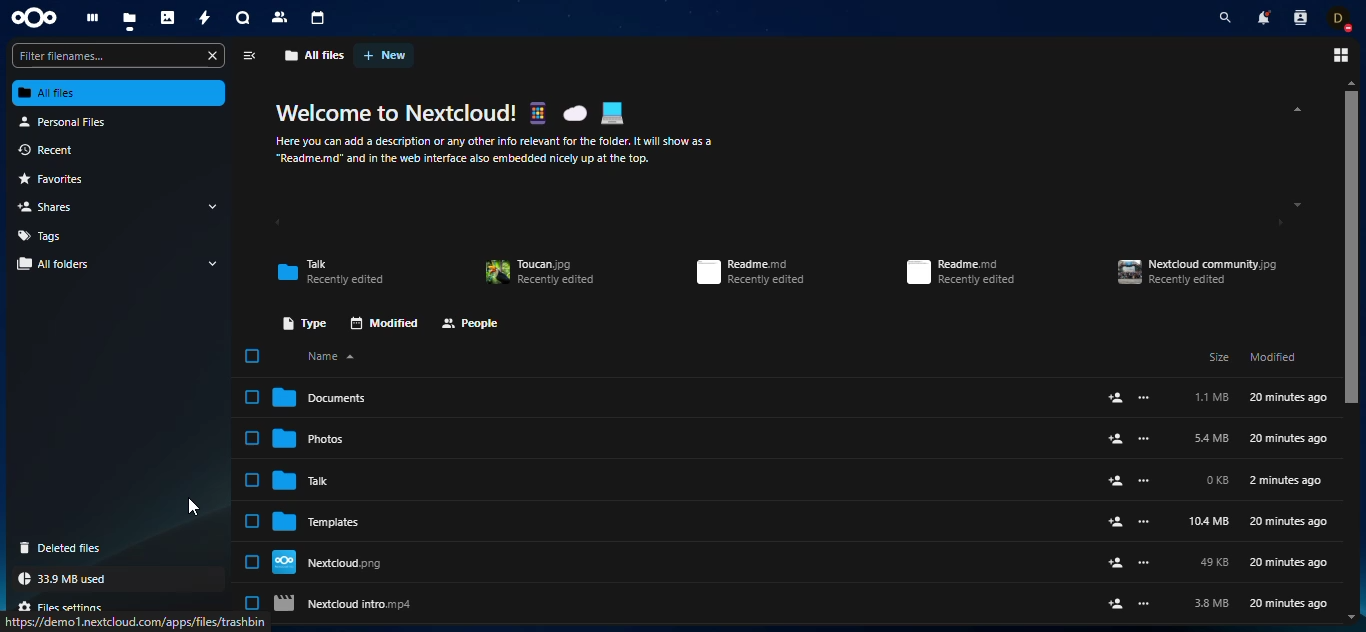  Describe the element at coordinates (222, 206) in the screenshot. I see `Arrow` at that location.